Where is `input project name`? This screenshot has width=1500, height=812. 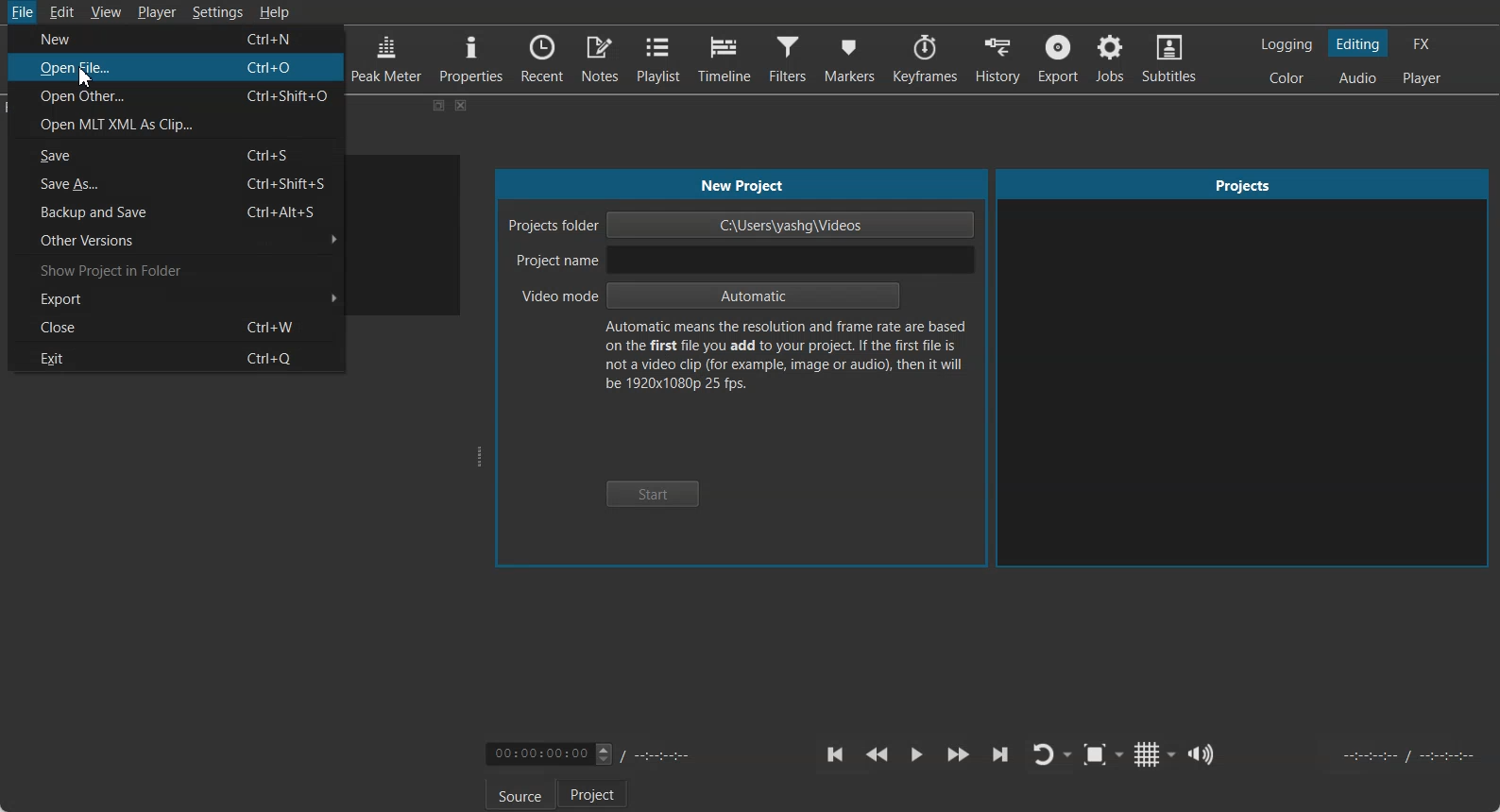
input project name is located at coordinates (792, 262).